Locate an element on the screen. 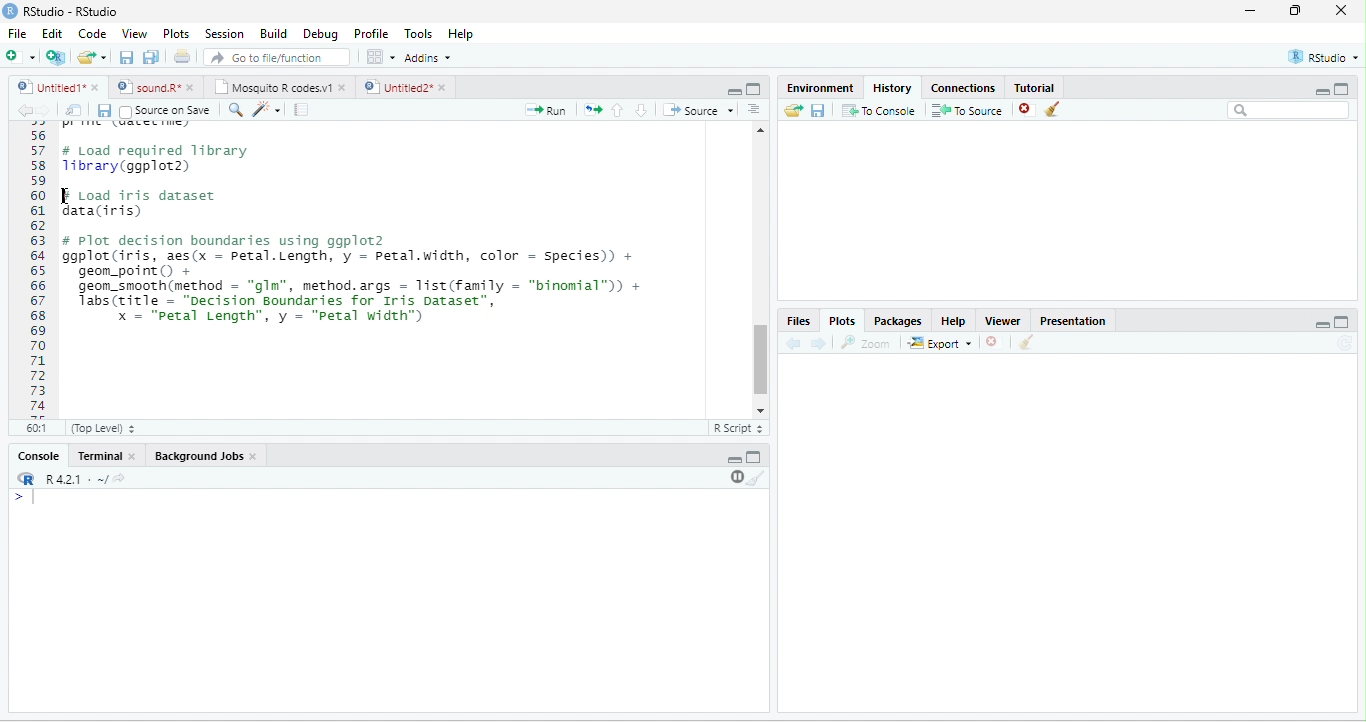 This screenshot has height=722, width=1366. maximize is located at coordinates (1342, 88).